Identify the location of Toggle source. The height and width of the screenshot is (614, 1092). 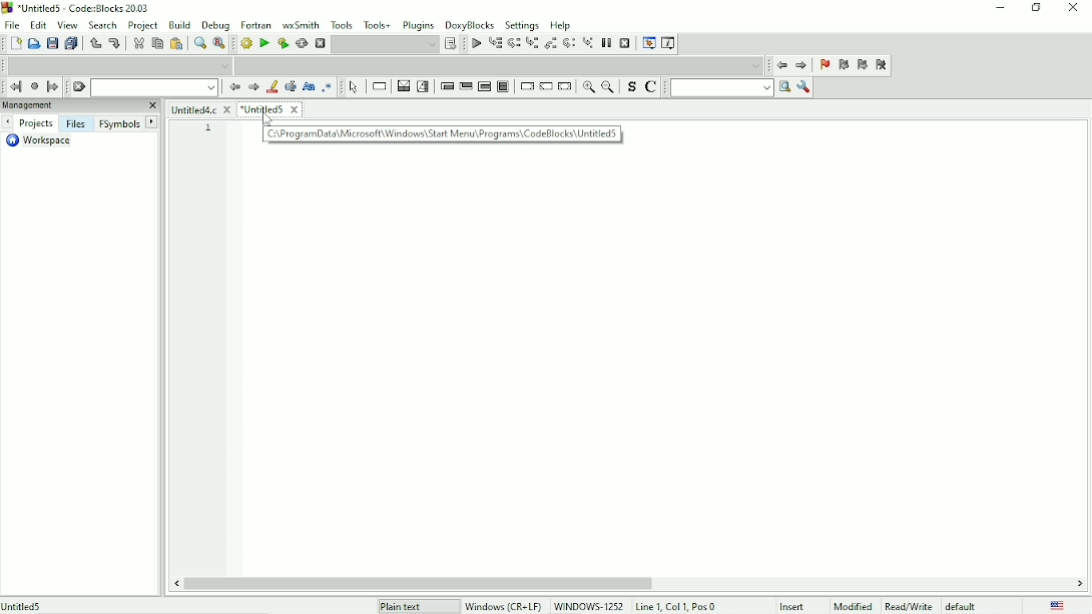
(630, 88).